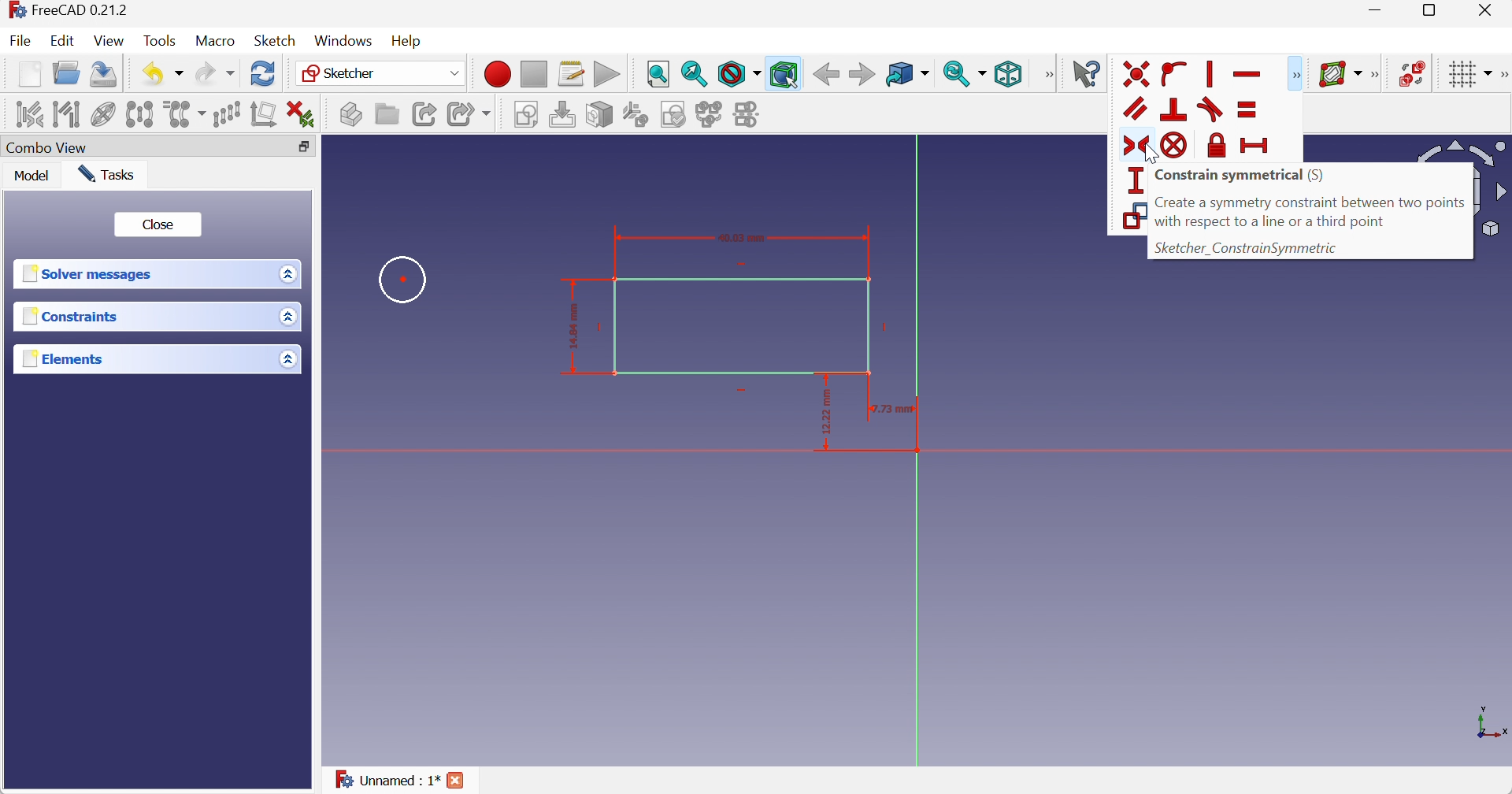  What do you see at coordinates (784, 74) in the screenshot?
I see `Bounding box` at bounding box center [784, 74].